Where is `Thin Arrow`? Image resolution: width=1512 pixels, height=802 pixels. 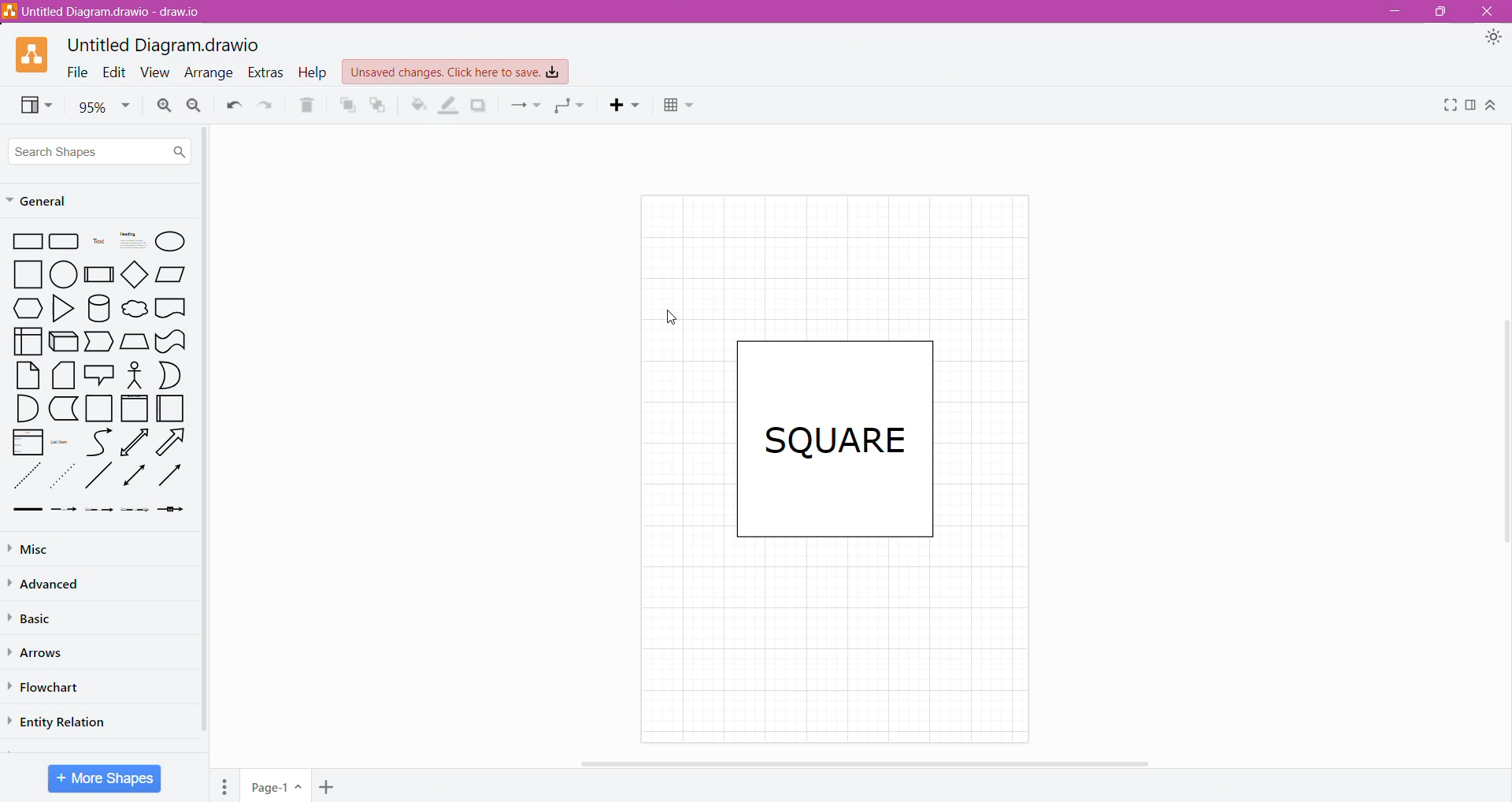 Thin Arrow is located at coordinates (100, 512).